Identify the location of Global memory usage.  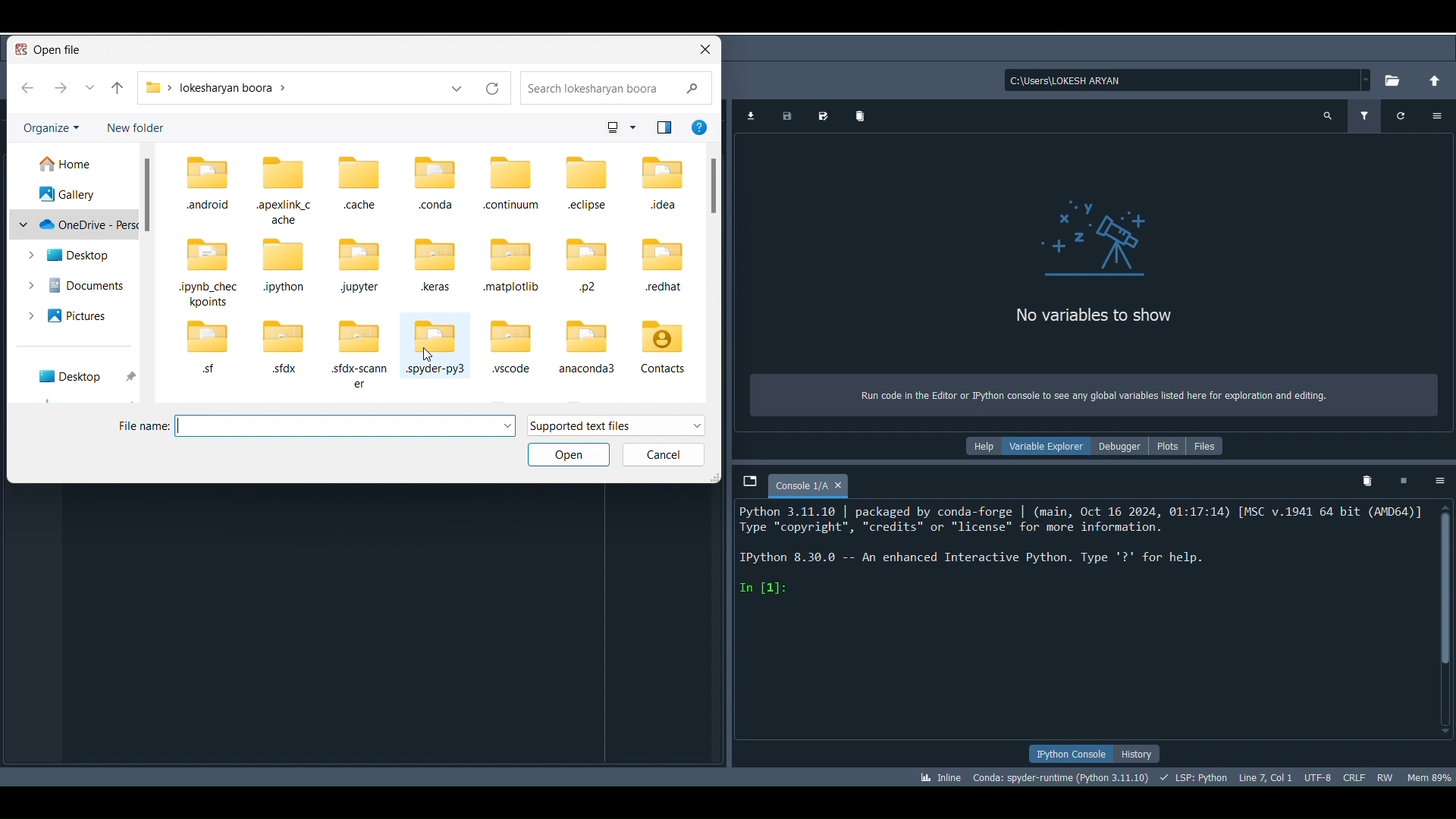
(1425, 779).